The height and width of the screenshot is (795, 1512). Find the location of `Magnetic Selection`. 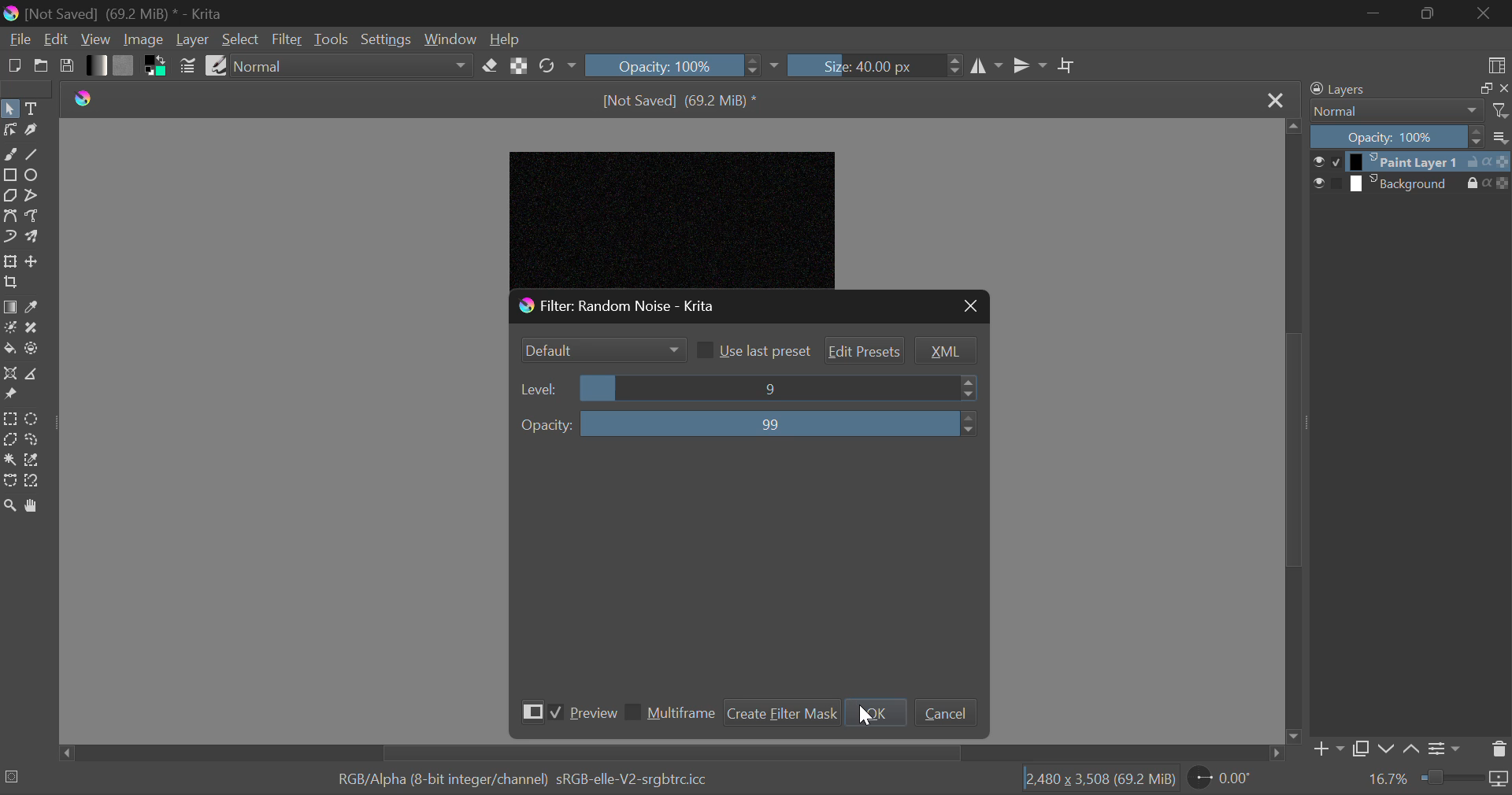

Magnetic Selection is located at coordinates (36, 481).